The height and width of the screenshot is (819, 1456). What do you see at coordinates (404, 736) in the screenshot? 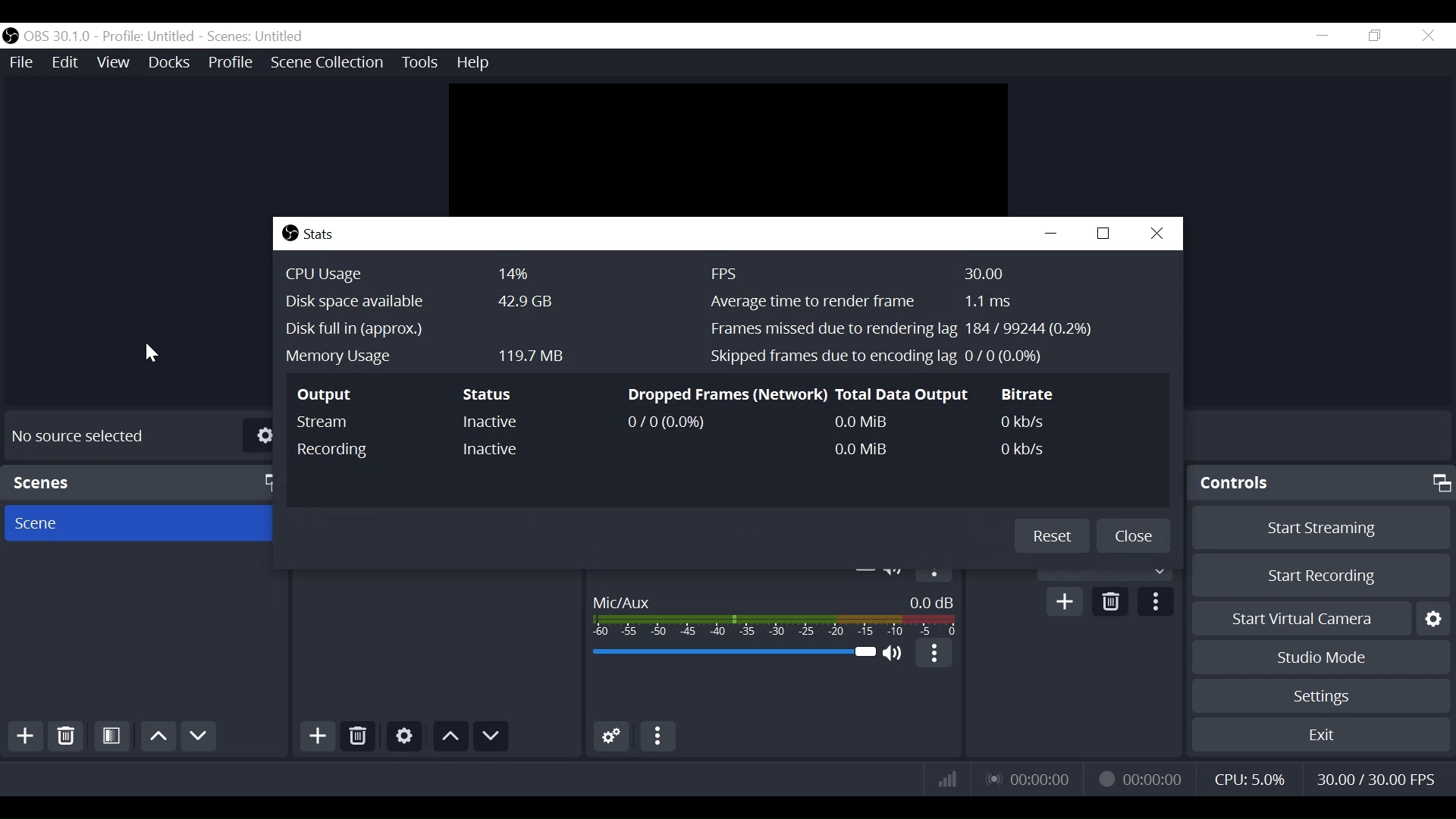
I see `Settings` at bounding box center [404, 736].